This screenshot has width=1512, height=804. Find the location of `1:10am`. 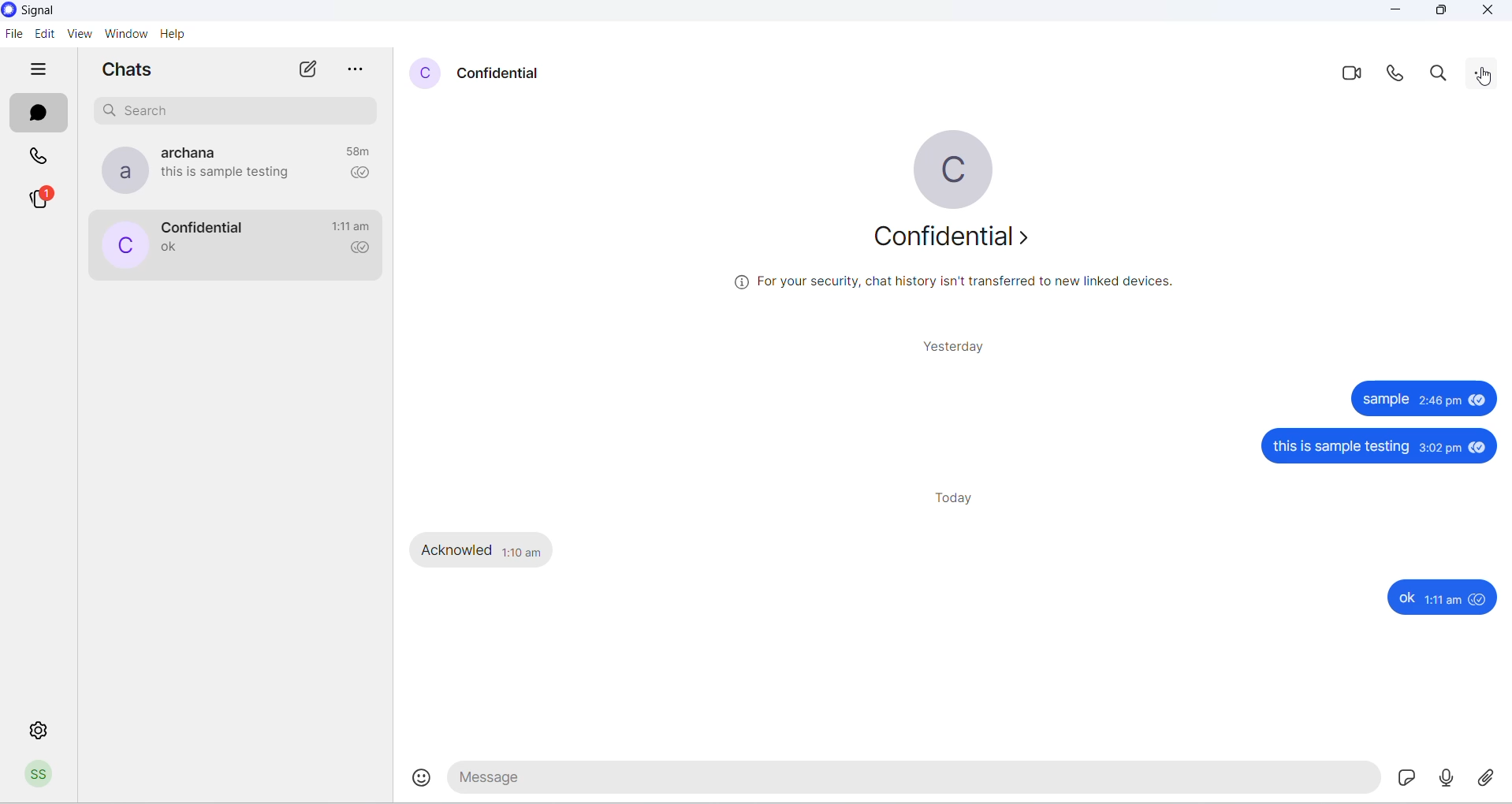

1:10am is located at coordinates (521, 549).